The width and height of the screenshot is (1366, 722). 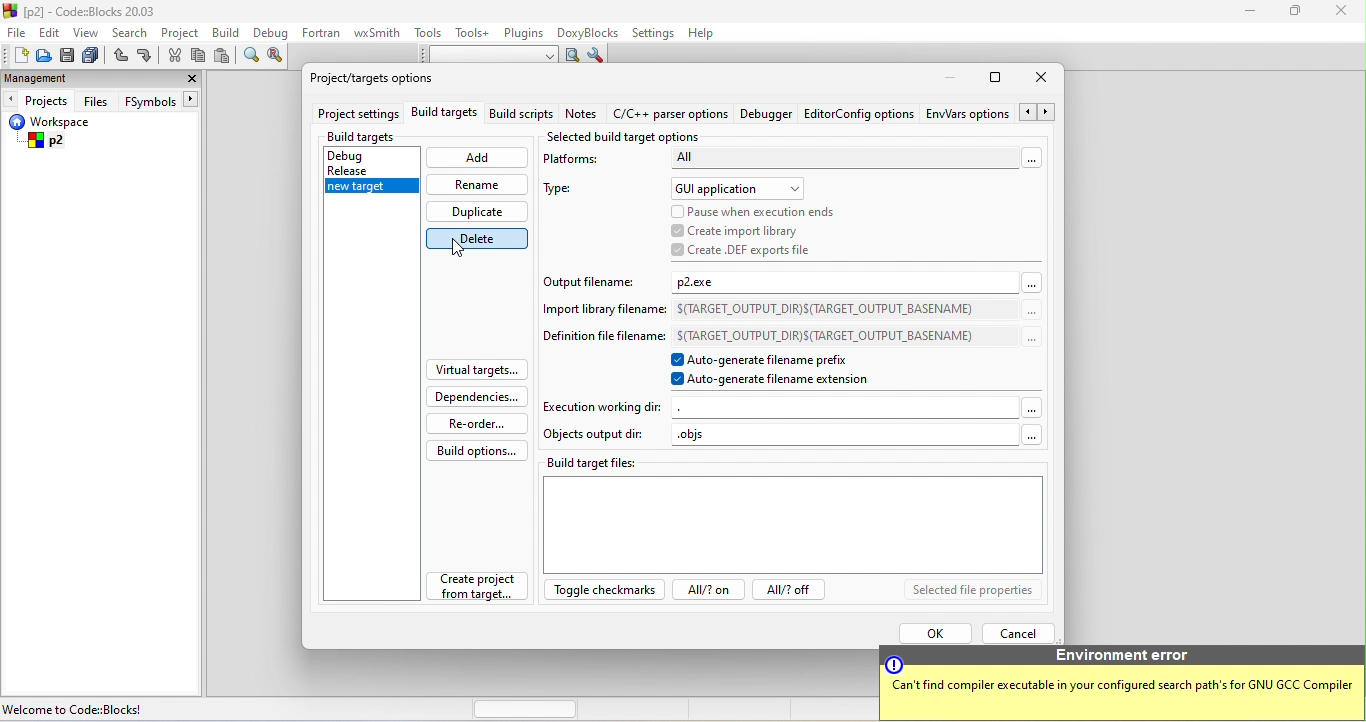 What do you see at coordinates (598, 55) in the screenshot?
I see `show option window` at bounding box center [598, 55].